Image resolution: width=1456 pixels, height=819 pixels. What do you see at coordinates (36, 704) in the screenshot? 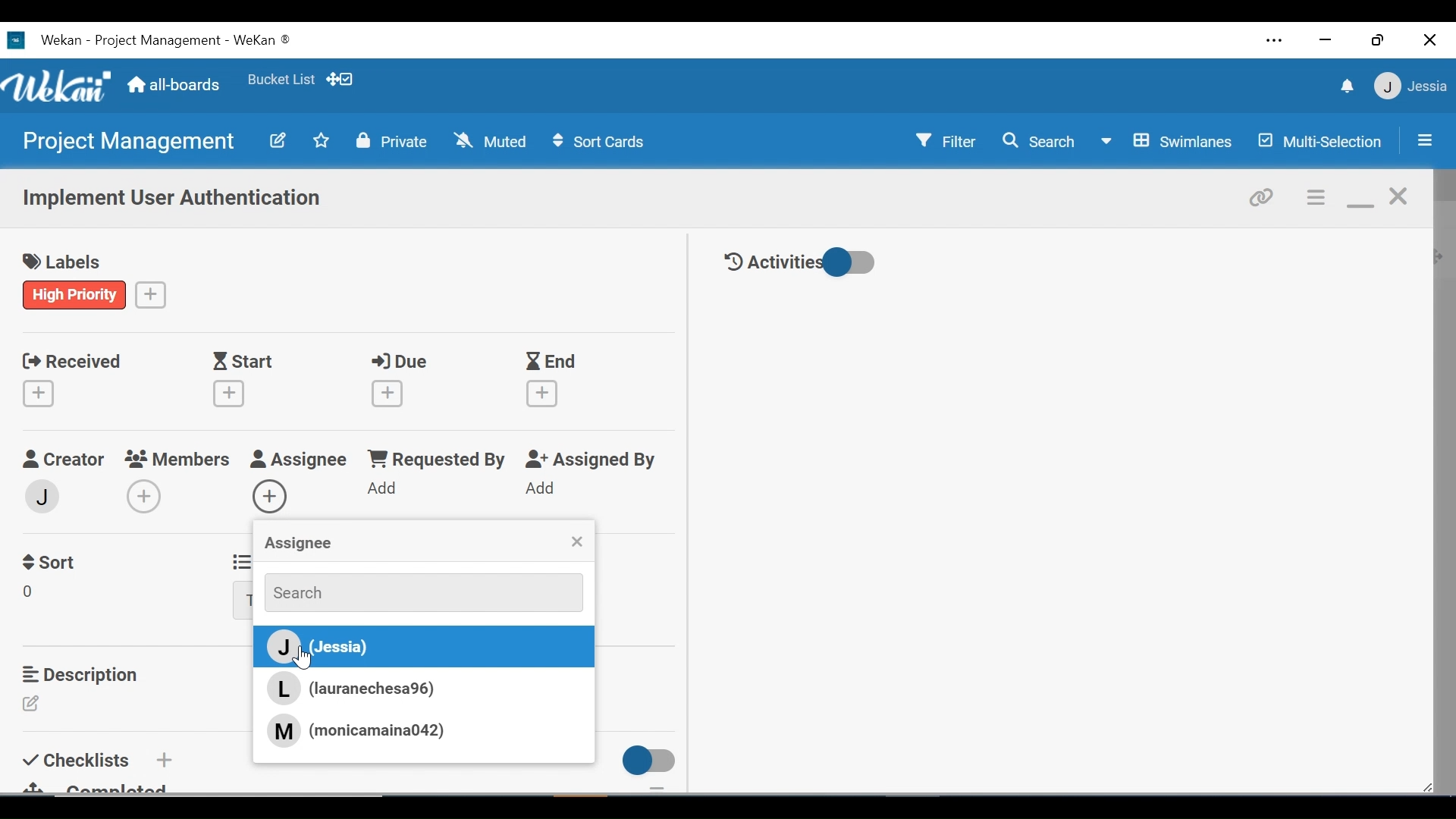
I see `Edit` at bounding box center [36, 704].